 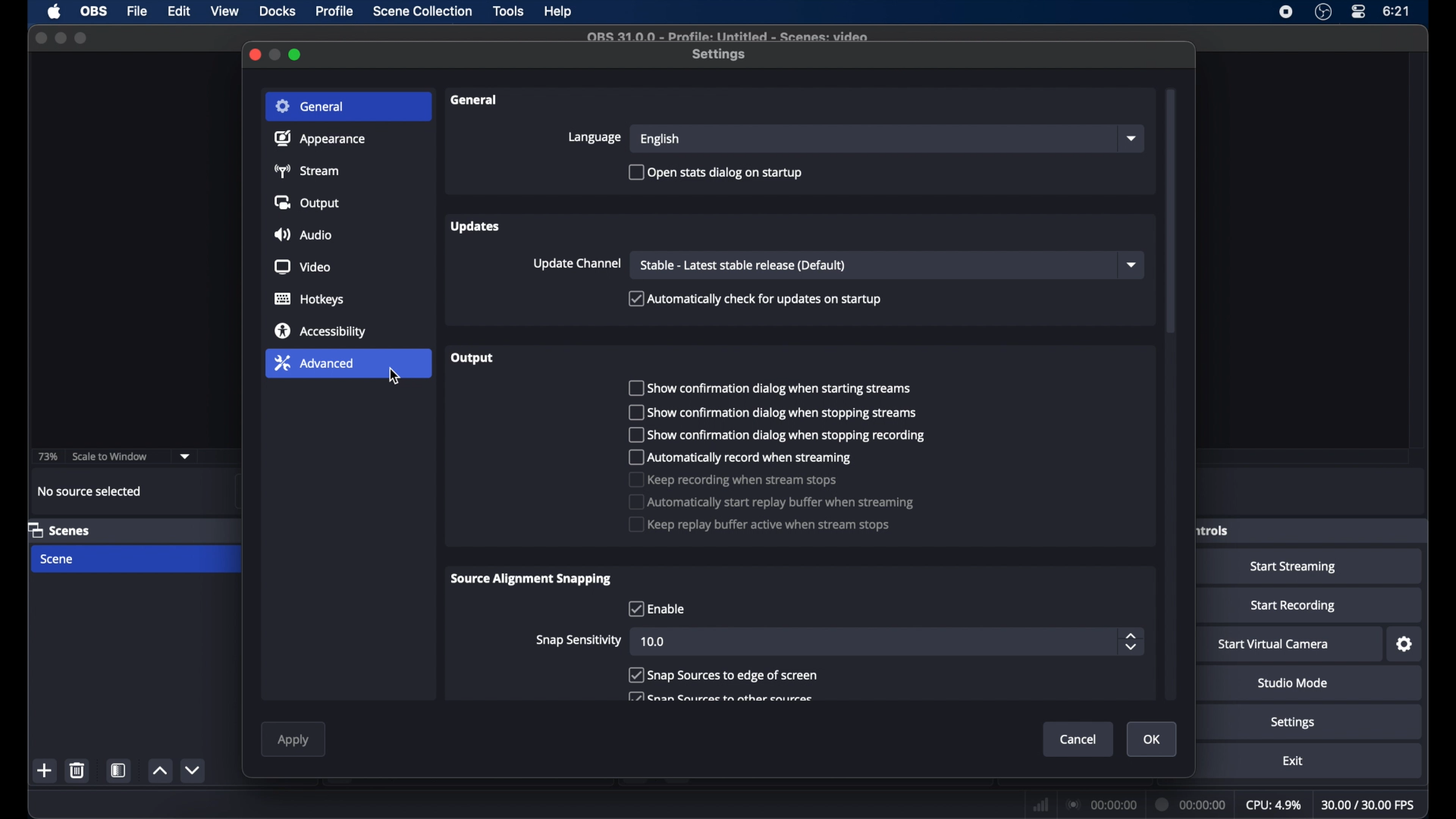 What do you see at coordinates (711, 171) in the screenshot?
I see `[) Open stats dialog on startup` at bounding box center [711, 171].